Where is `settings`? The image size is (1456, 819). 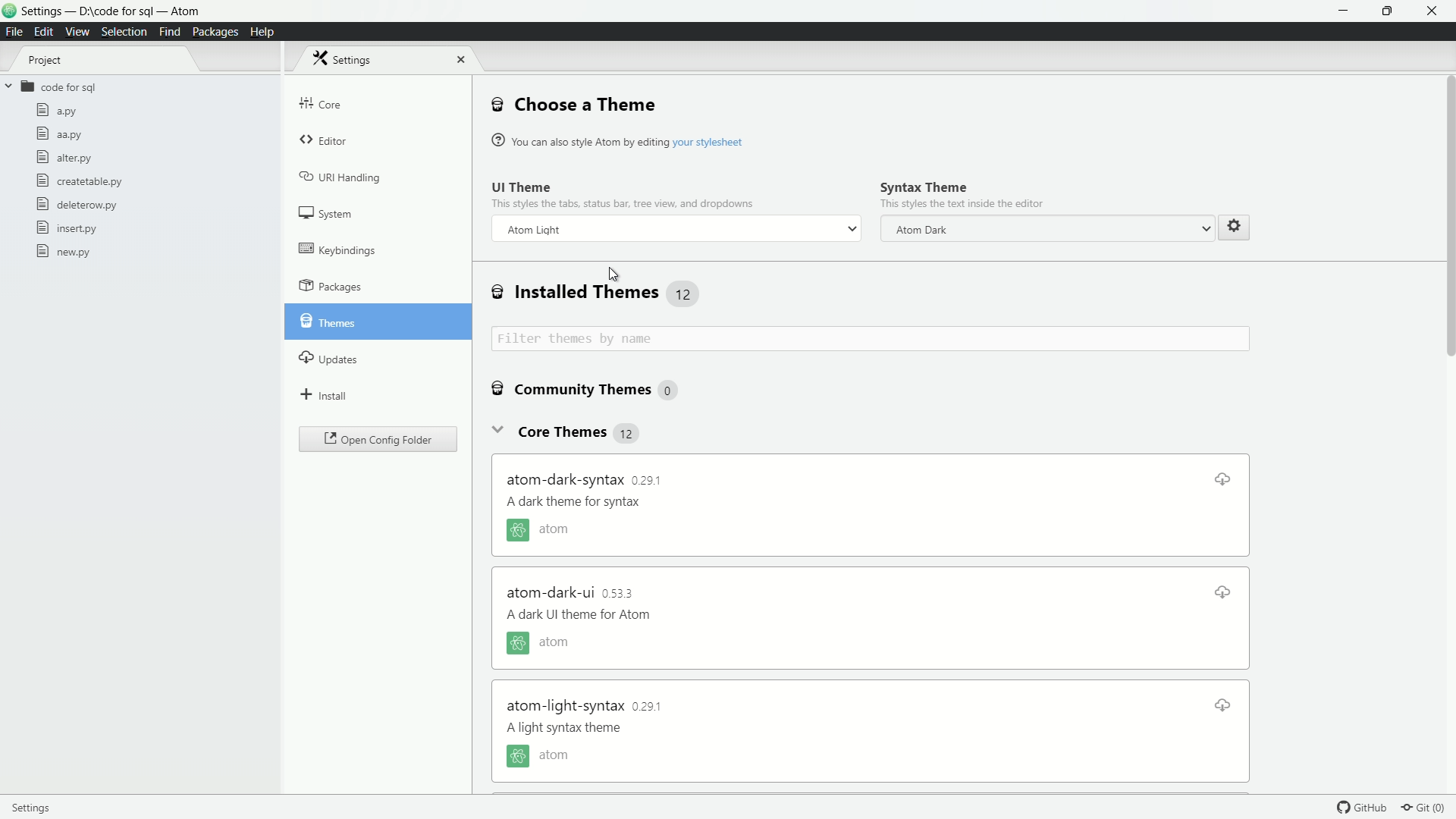
settings is located at coordinates (44, 805).